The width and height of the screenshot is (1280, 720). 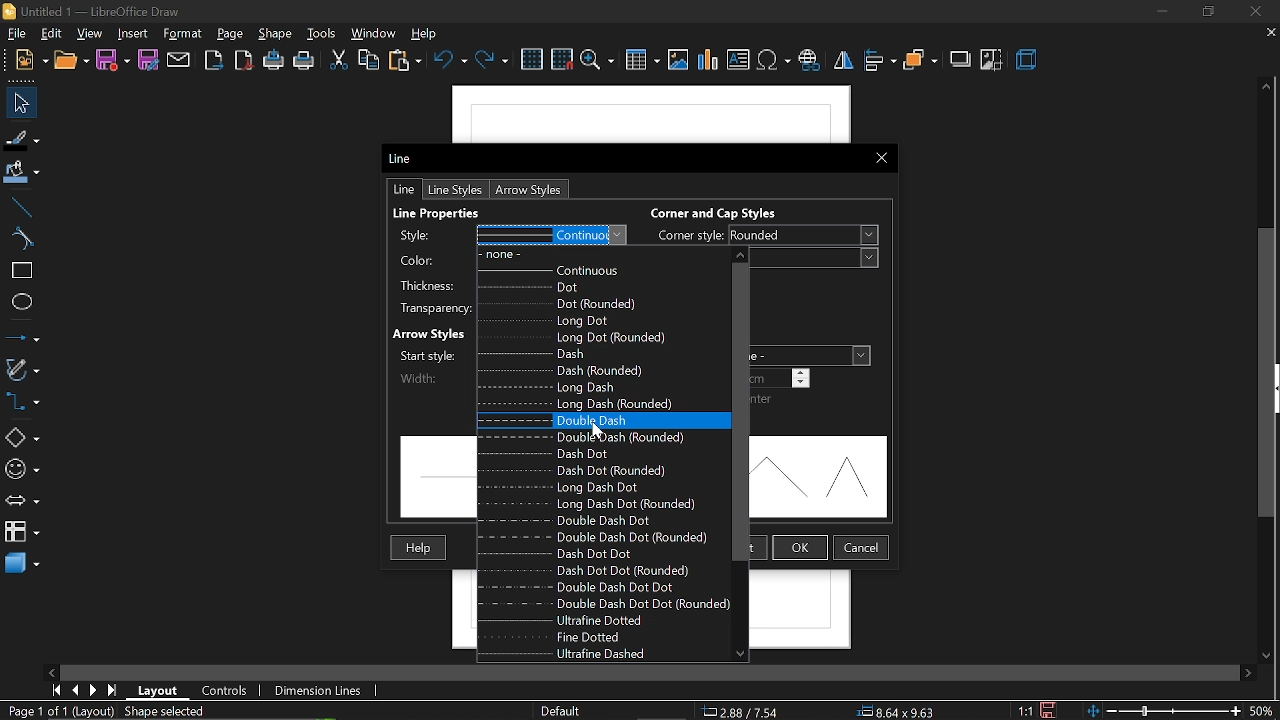 What do you see at coordinates (903, 713) in the screenshot?
I see `8.64x9.63` at bounding box center [903, 713].